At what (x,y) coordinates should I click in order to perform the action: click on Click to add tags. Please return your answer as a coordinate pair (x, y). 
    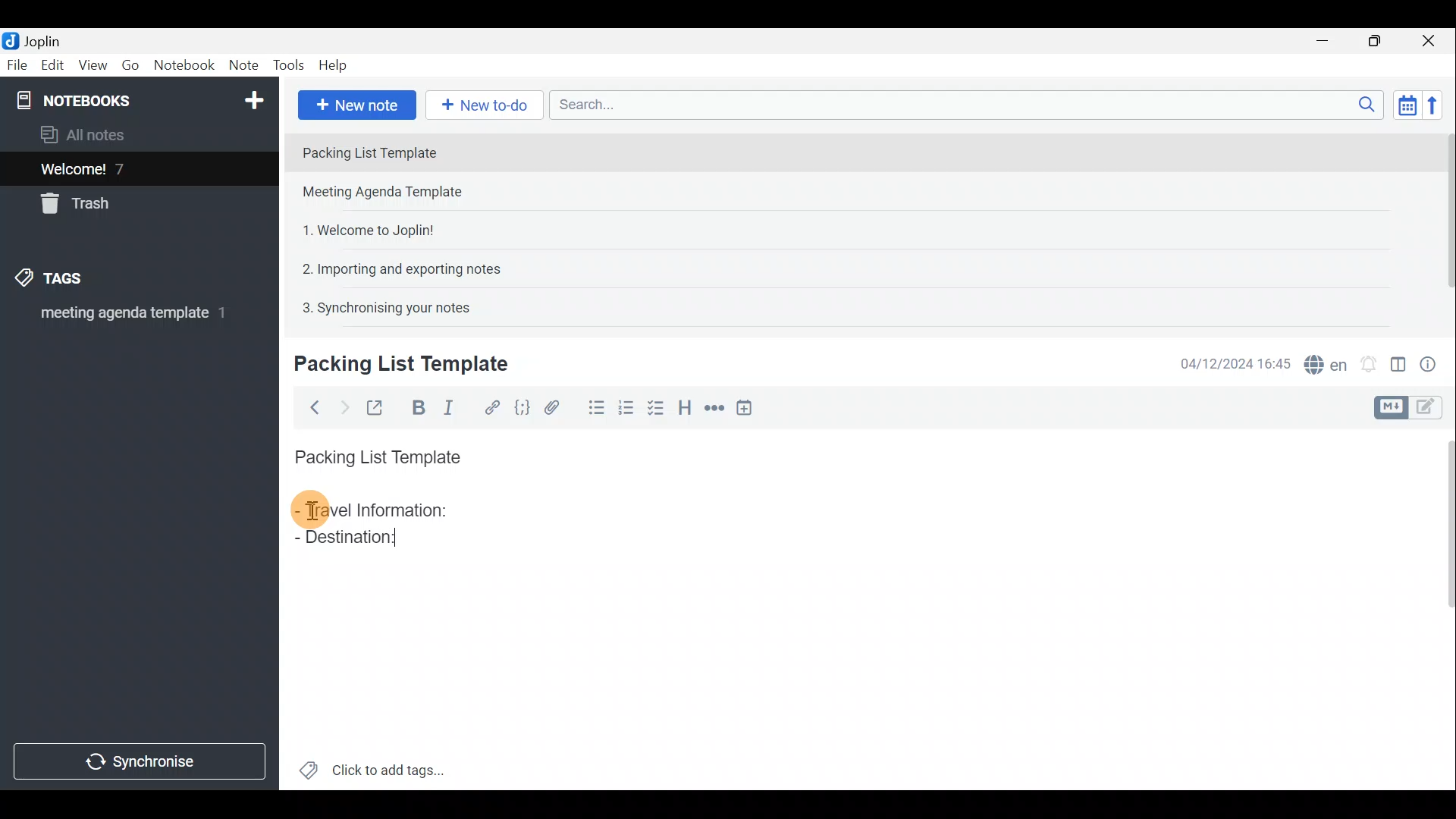
    Looking at the image, I should click on (372, 766).